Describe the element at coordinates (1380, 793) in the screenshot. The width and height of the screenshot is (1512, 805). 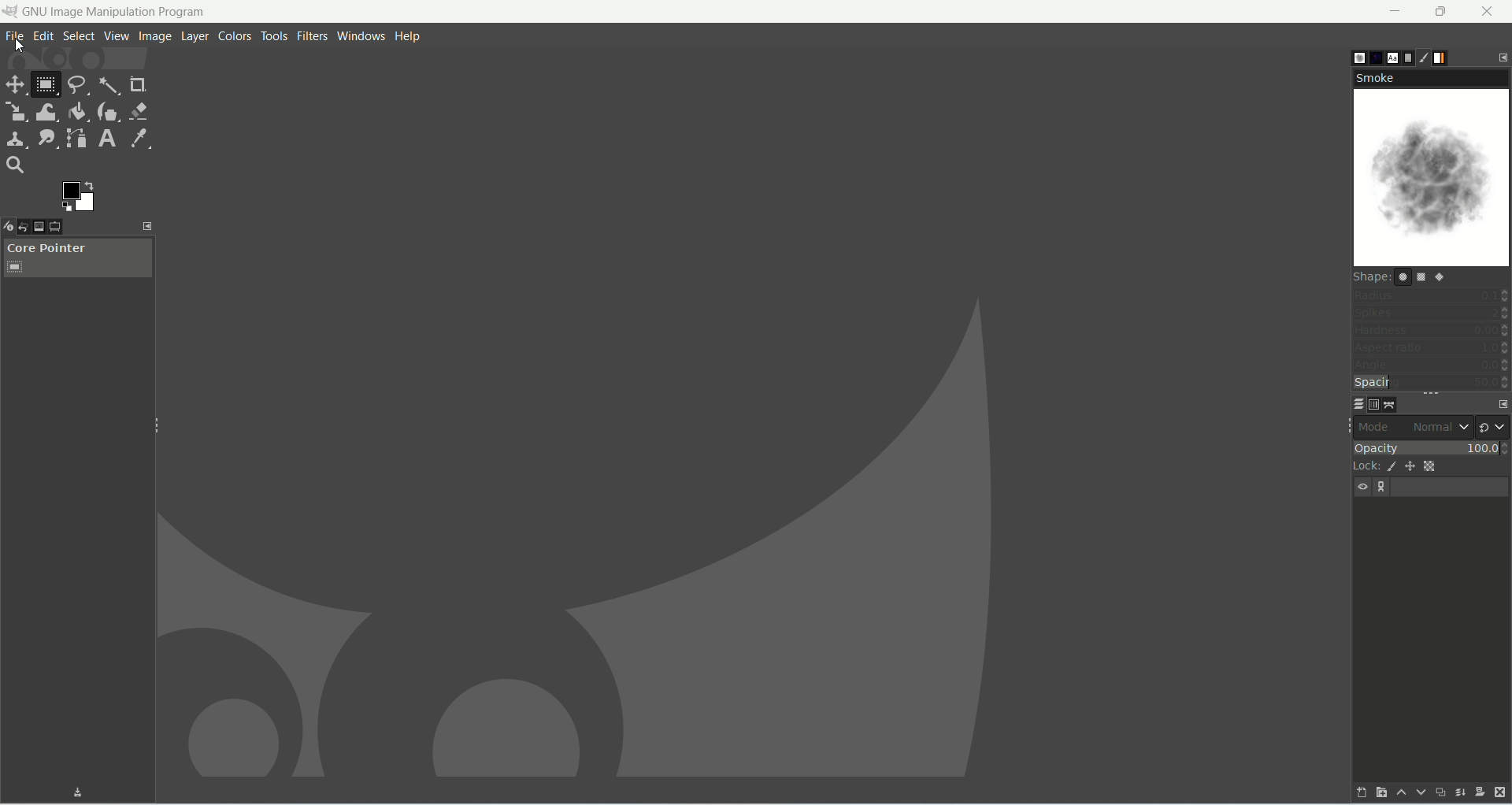
I see `create a new layer` at that location.